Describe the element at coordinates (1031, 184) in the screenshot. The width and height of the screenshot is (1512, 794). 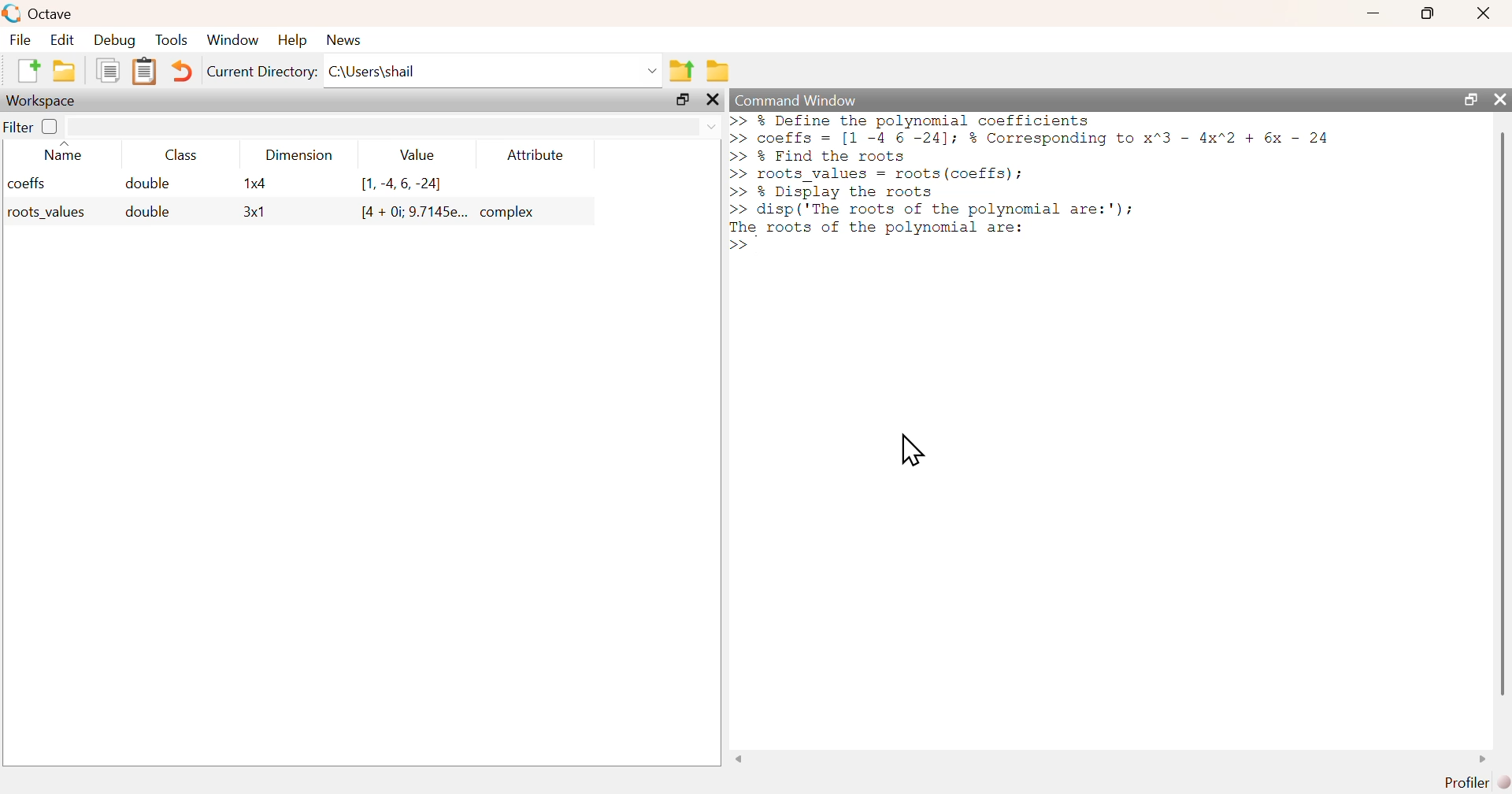
I see `>> % Define the polynomial coefficients

>> coeffs = [1 -4 6 -24]; % Corresponding to x*3 — 4x*2 + 6x — 24
>> % Find the roots

>> roots_values = roots (coeffs);

>> % Display the roots

>> disp('The roots of the polynomial are:');

The roots of the polynomial are:

>>` at that location.